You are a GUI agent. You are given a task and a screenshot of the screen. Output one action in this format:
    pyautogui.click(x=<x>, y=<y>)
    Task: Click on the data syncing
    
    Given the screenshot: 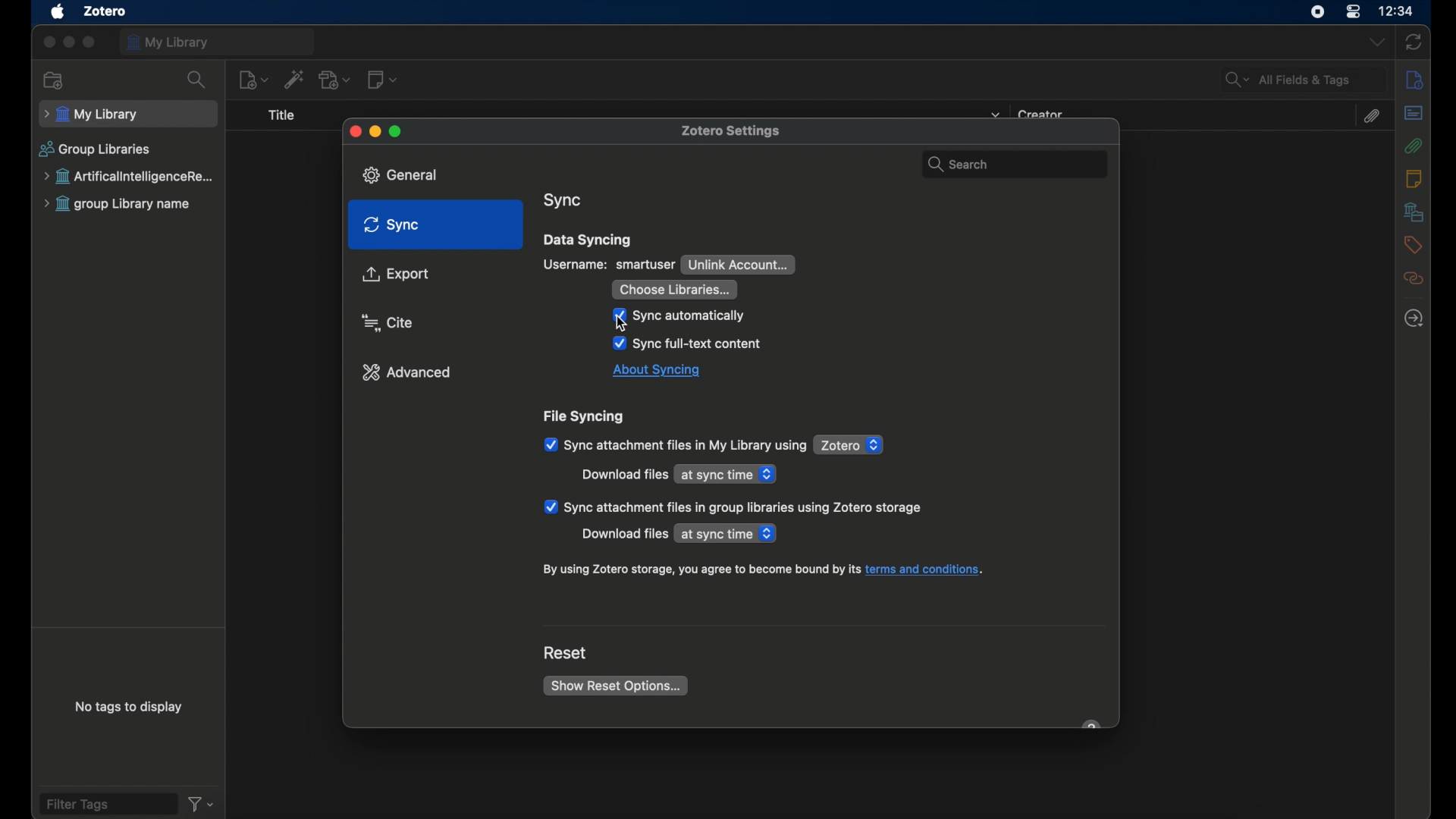 What is the action you would take?
    pyautogui.click(x=588, y=240)
    